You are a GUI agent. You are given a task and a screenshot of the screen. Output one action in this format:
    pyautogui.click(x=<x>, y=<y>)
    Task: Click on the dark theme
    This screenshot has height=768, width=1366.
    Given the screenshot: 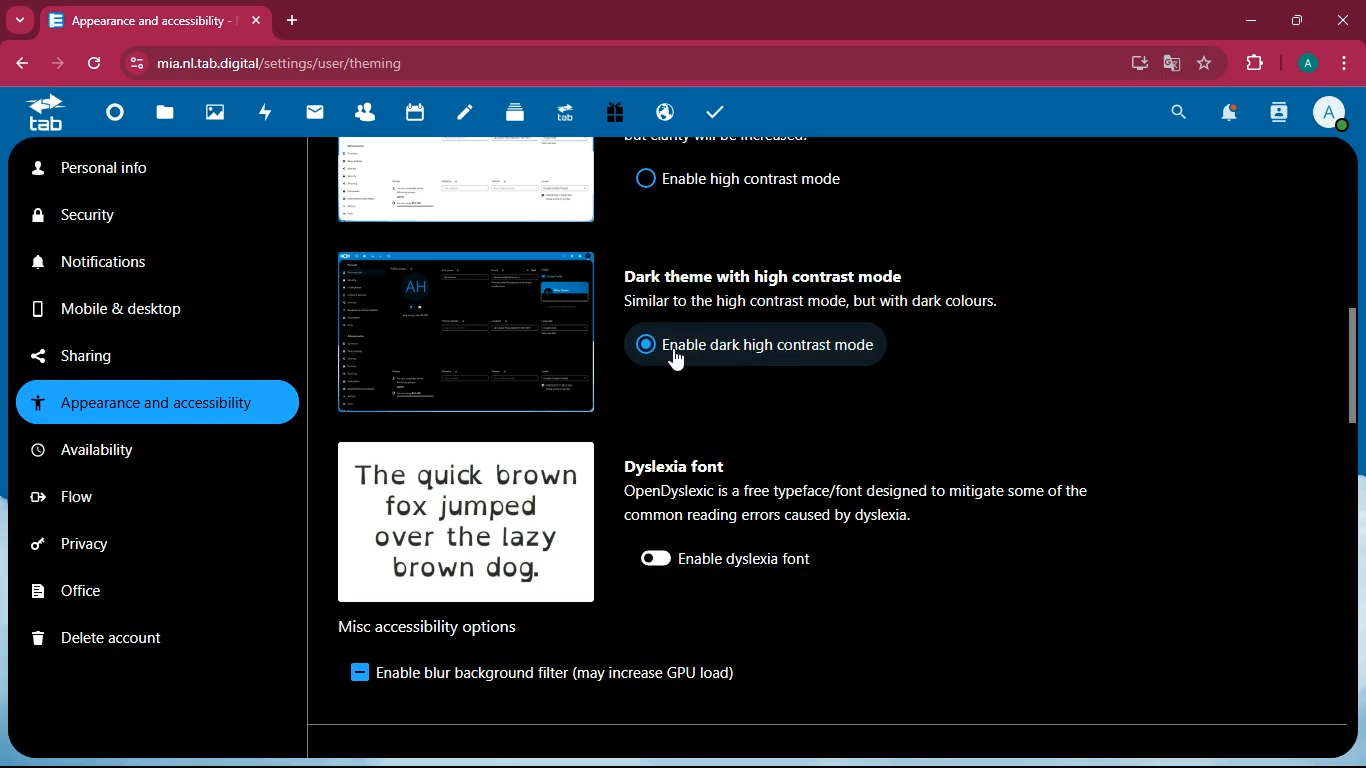 What is the action you would take?
    pyautogui.click(x=762, y=271)
    